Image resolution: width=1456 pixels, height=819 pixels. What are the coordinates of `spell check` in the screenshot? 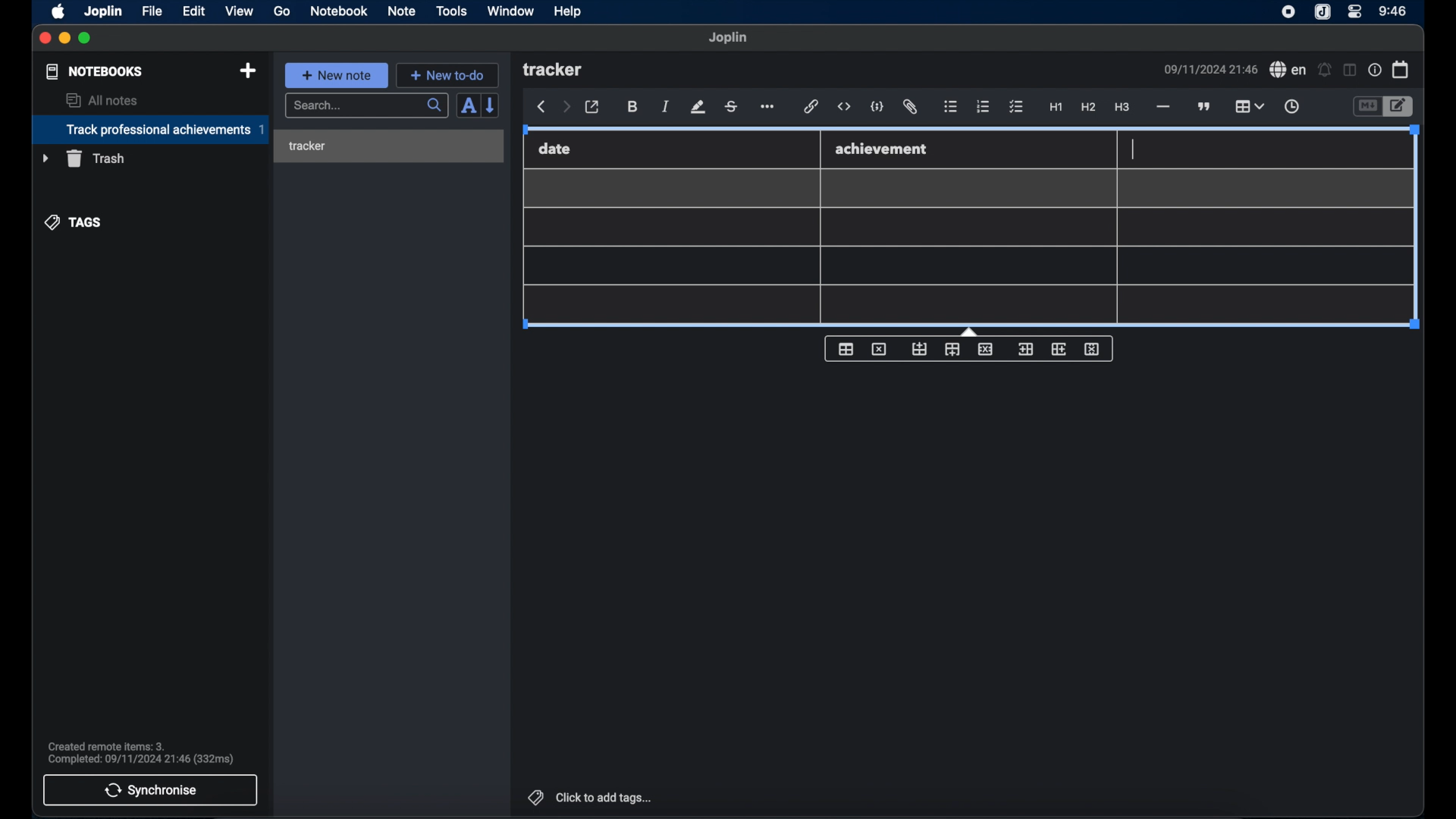 It's located at (1288, 70).